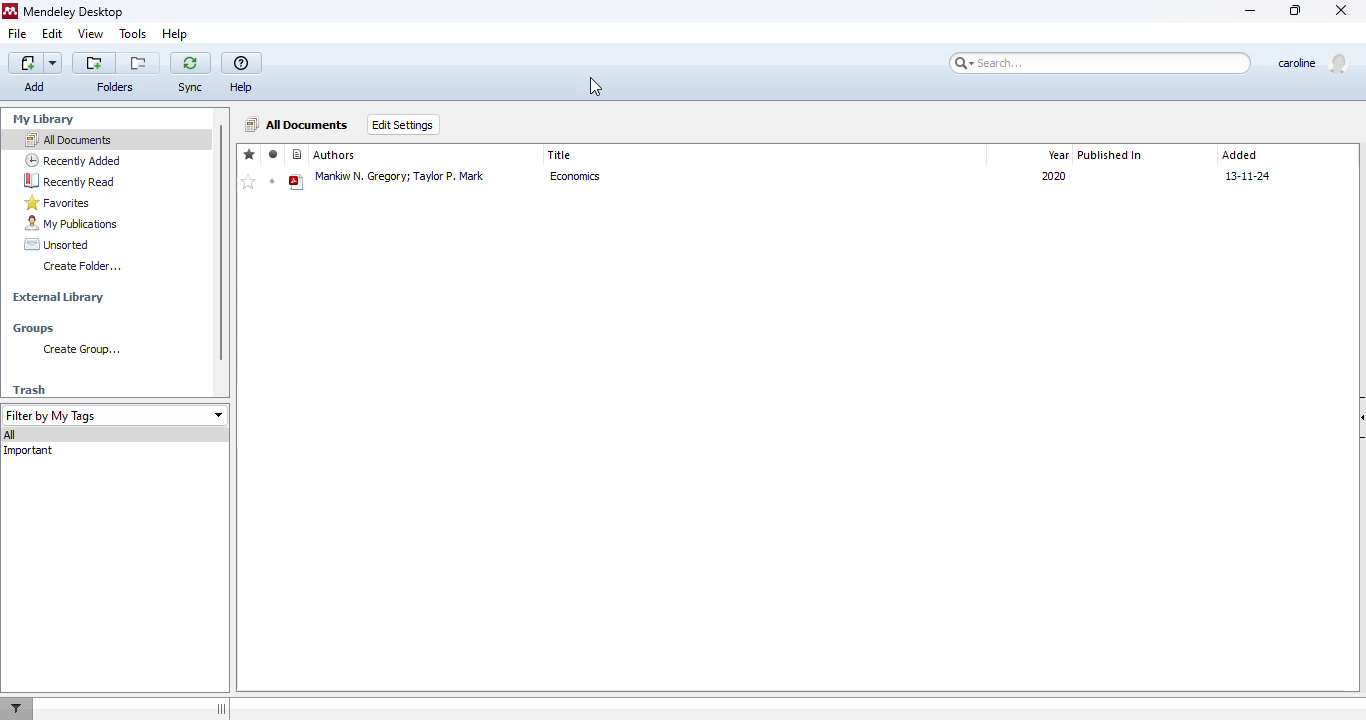 The image size is (1366, 720). What do you see at coordinates (115, 416) in the screenshot?
I see `filter by my tags` at bounding box center [115, 416].